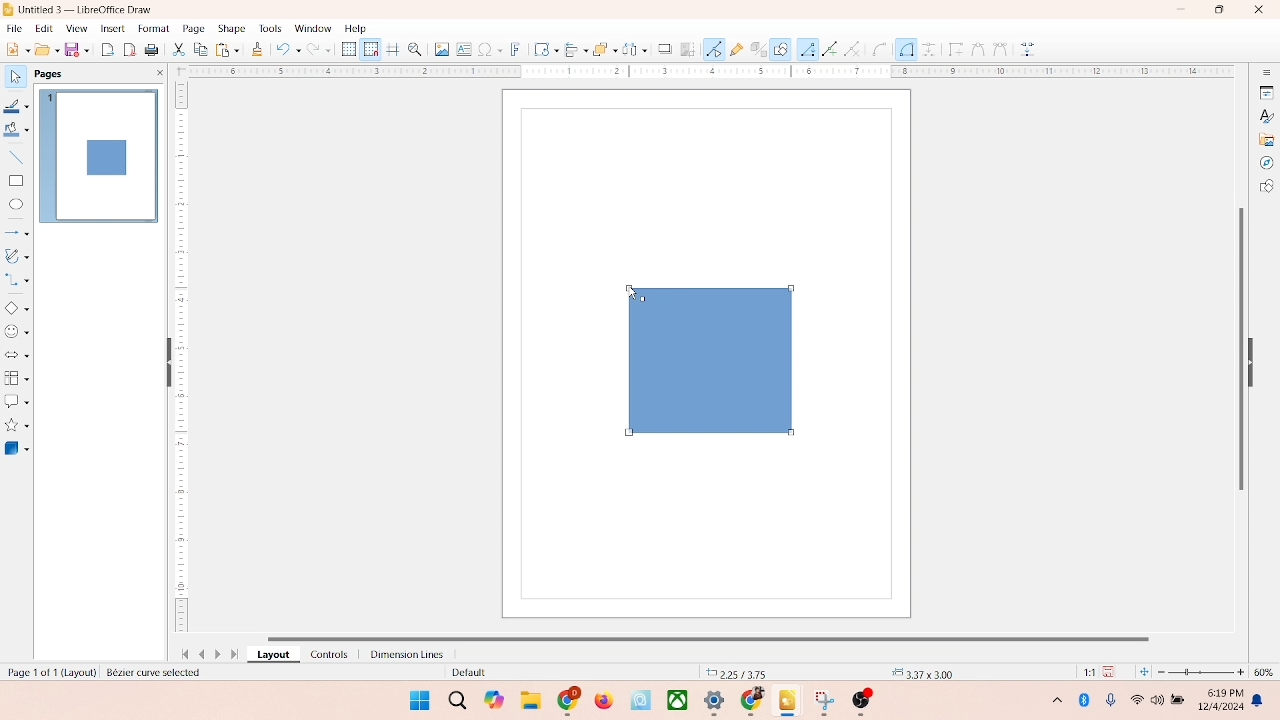 This screenshot has width=1280, height=720. I want to click on lines and arrows, so click(17, 232).